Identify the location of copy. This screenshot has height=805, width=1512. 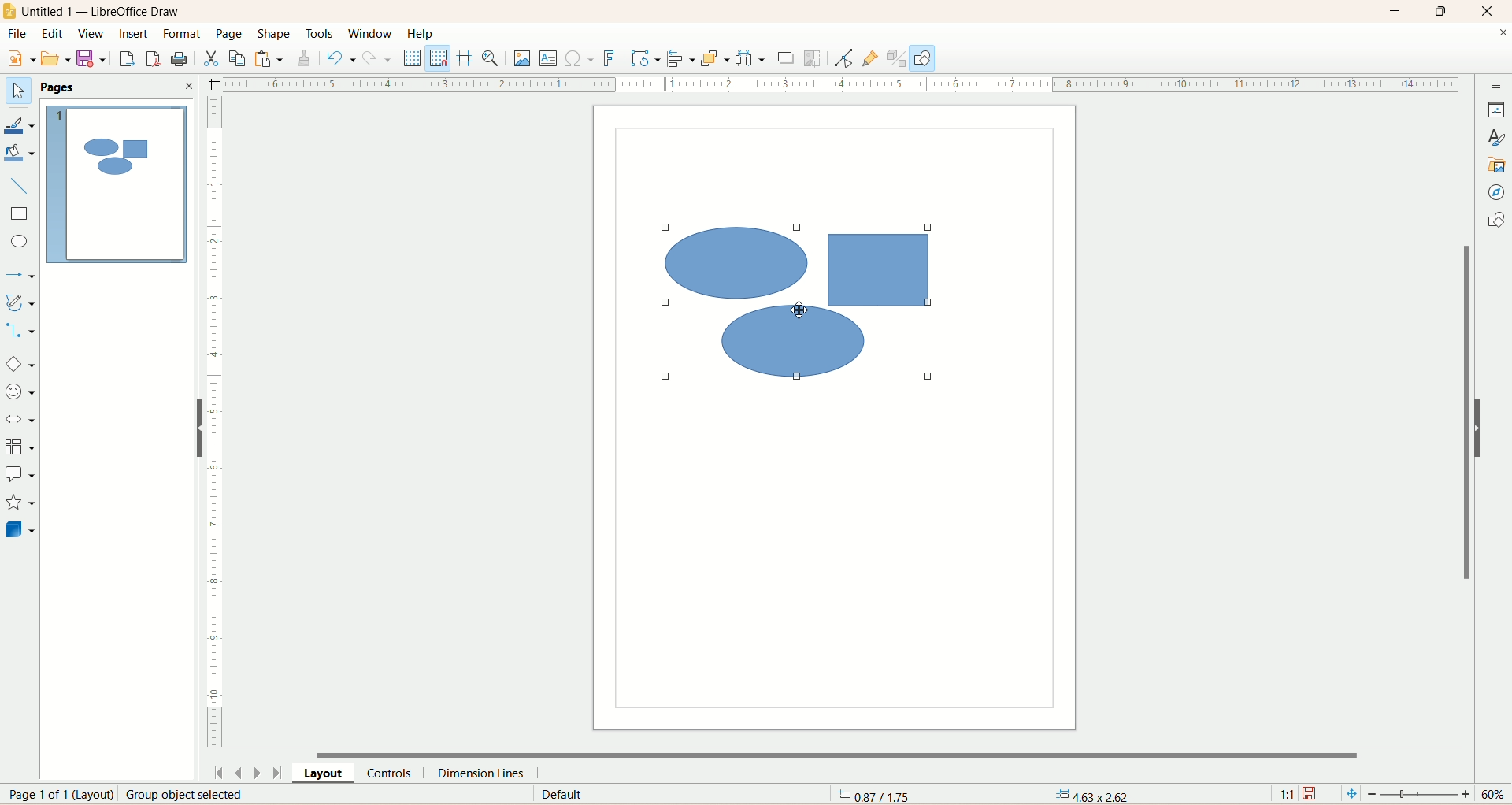
(239, 59).